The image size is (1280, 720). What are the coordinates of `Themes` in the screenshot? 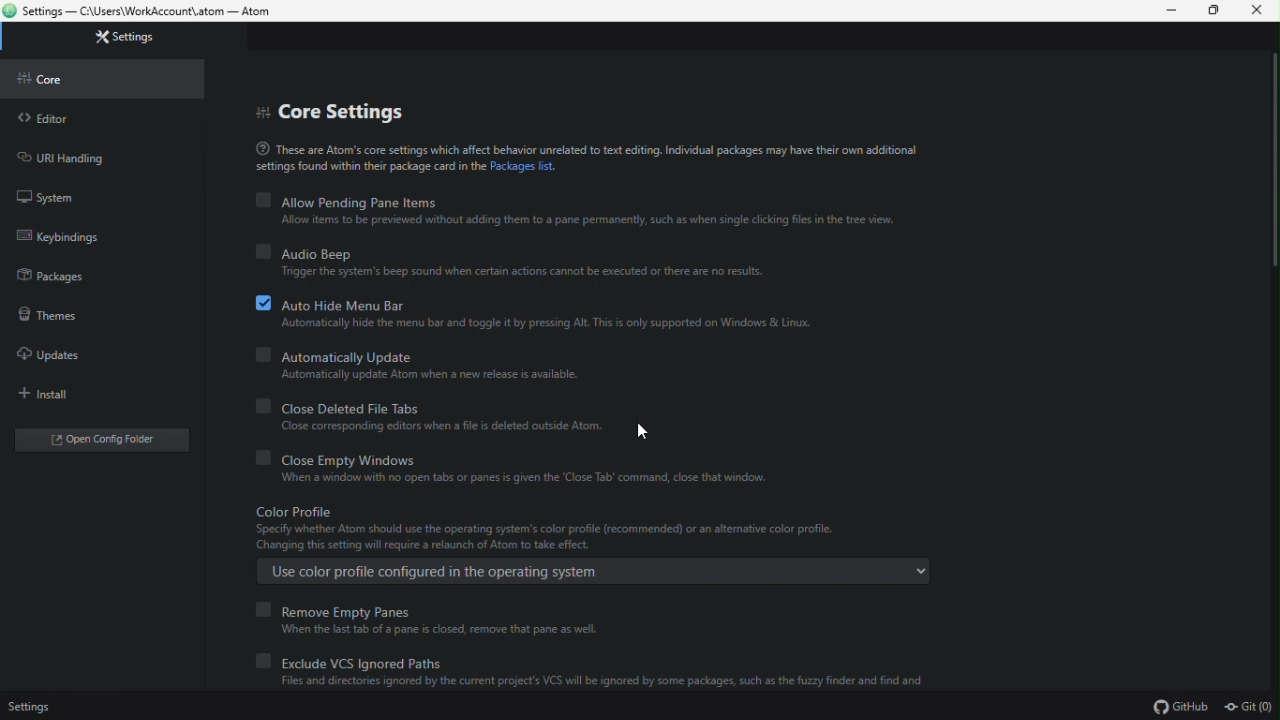 It's located at (96, 313).